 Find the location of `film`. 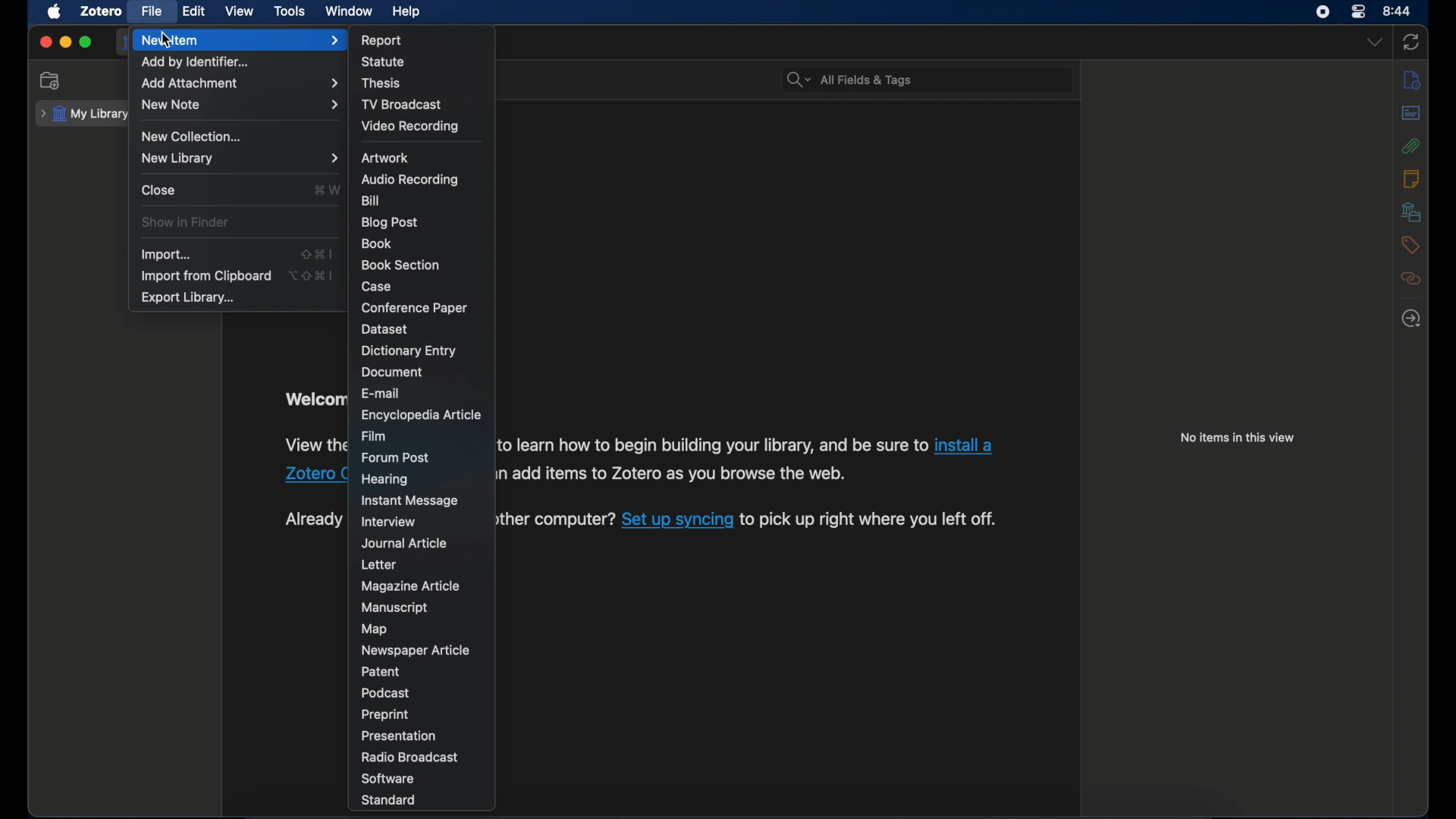

film is located at coordinates (378, 436).